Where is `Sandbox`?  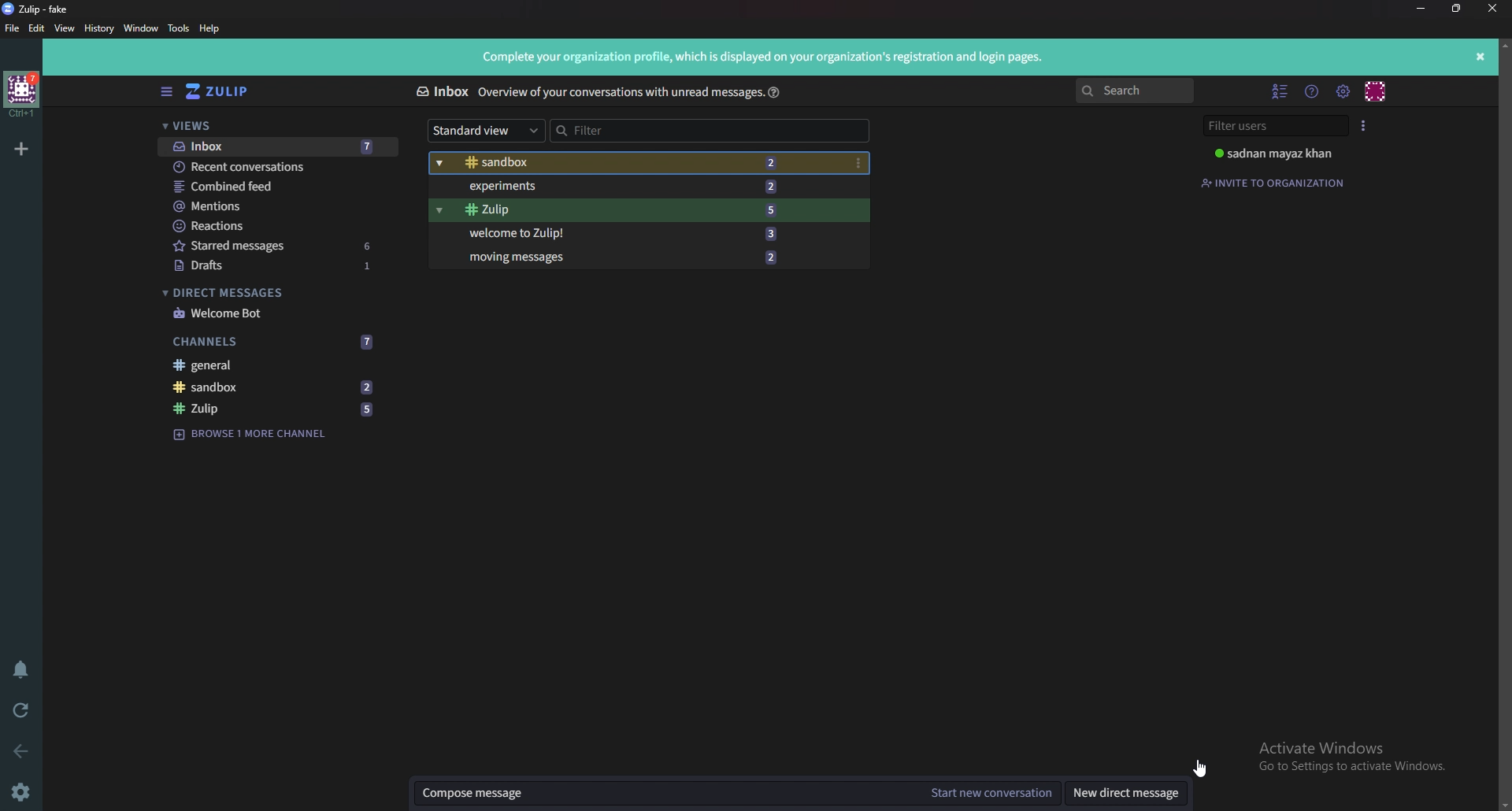 Sandbox is located at coordinates (275, 387).